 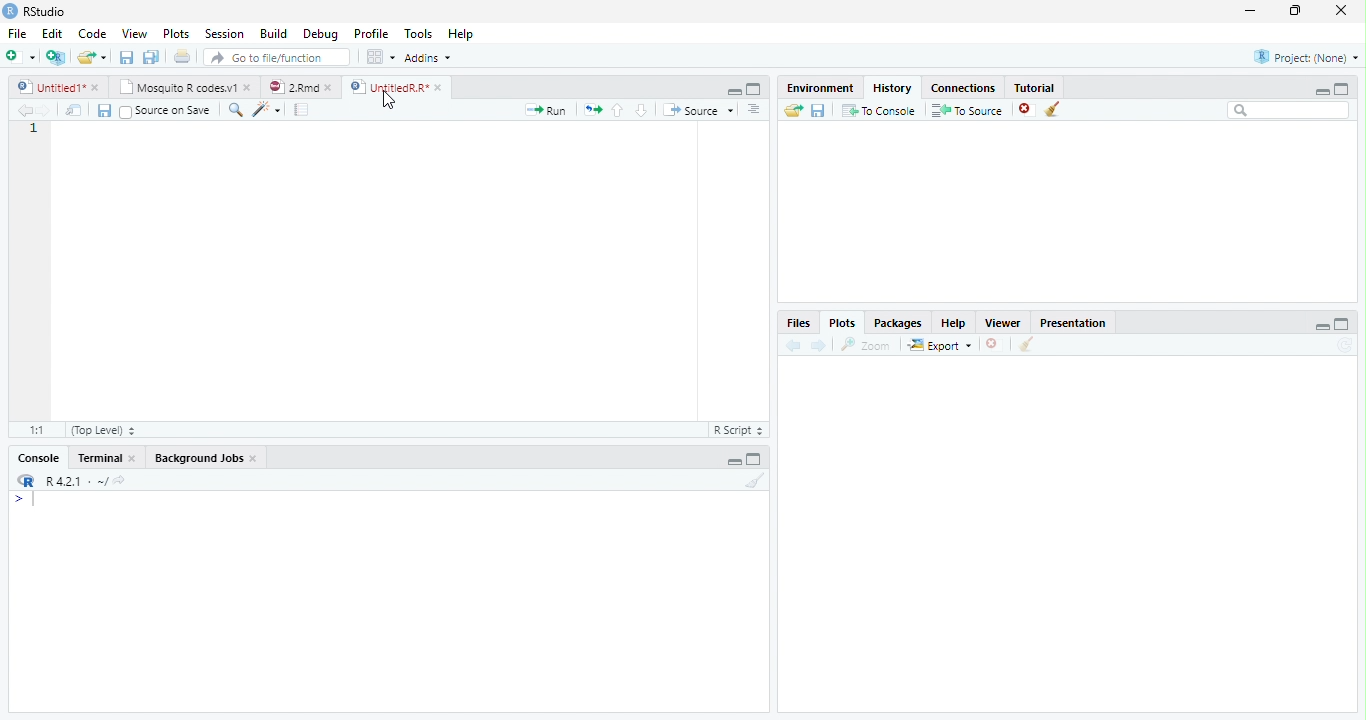 I want to click on > , so click(x=20, y=498).